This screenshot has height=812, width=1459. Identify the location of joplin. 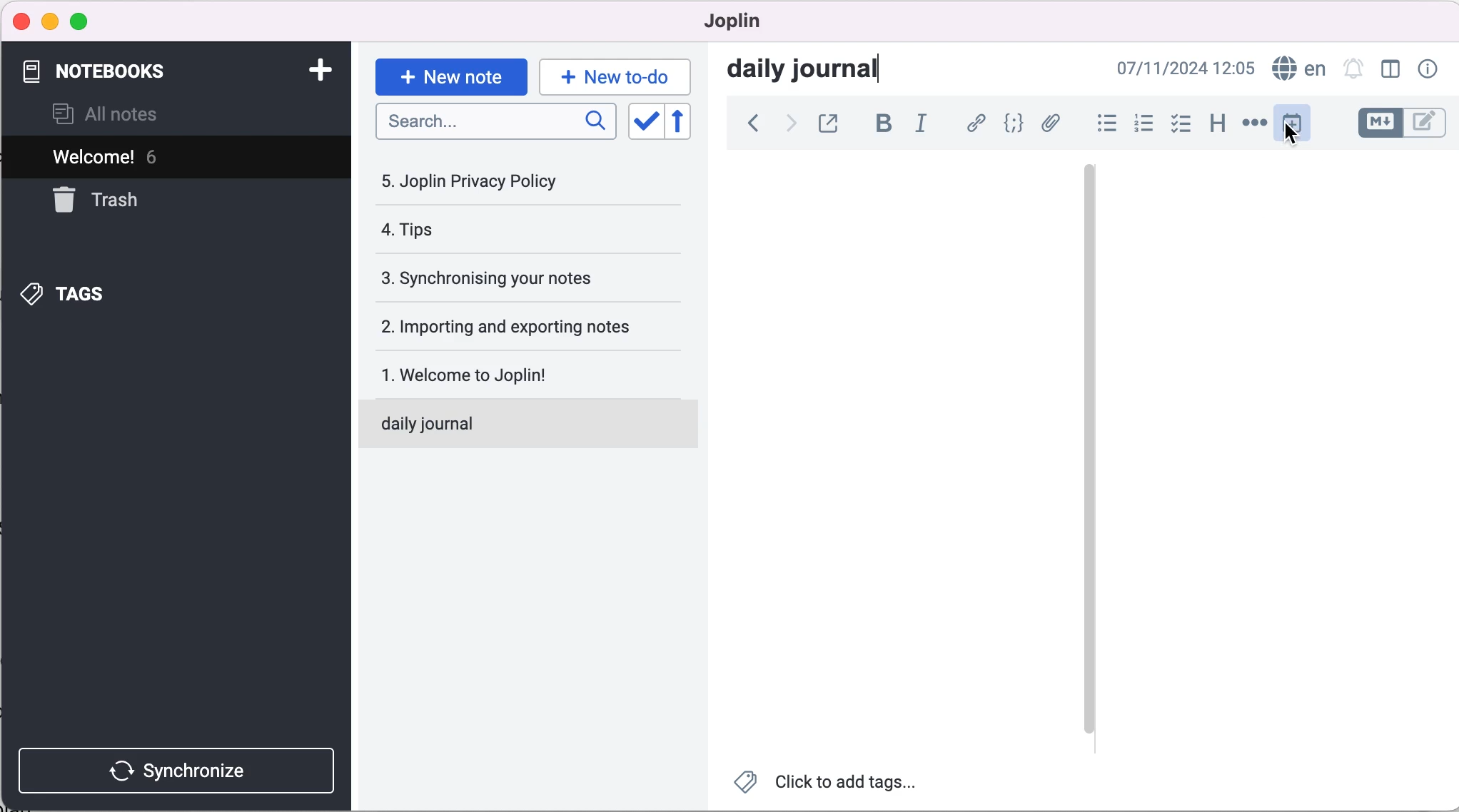
(754, 23).